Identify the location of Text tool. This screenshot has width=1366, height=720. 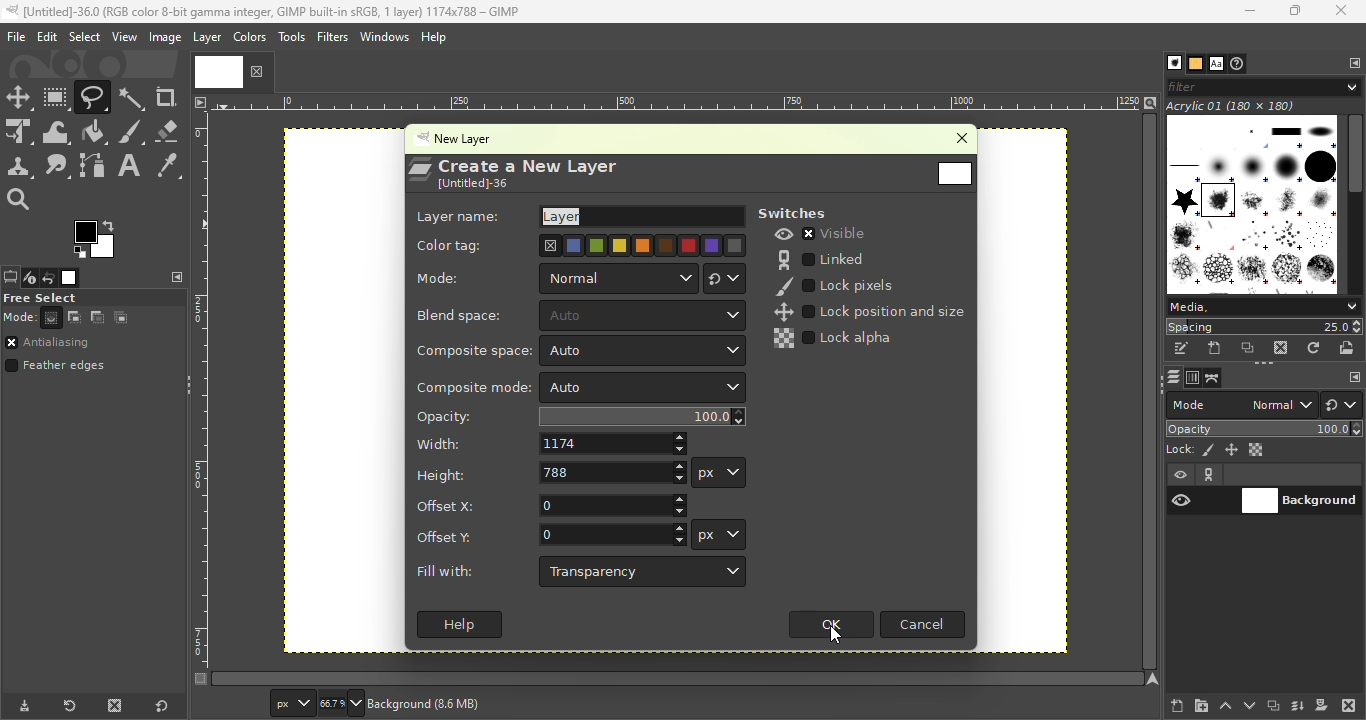
(130, 164).